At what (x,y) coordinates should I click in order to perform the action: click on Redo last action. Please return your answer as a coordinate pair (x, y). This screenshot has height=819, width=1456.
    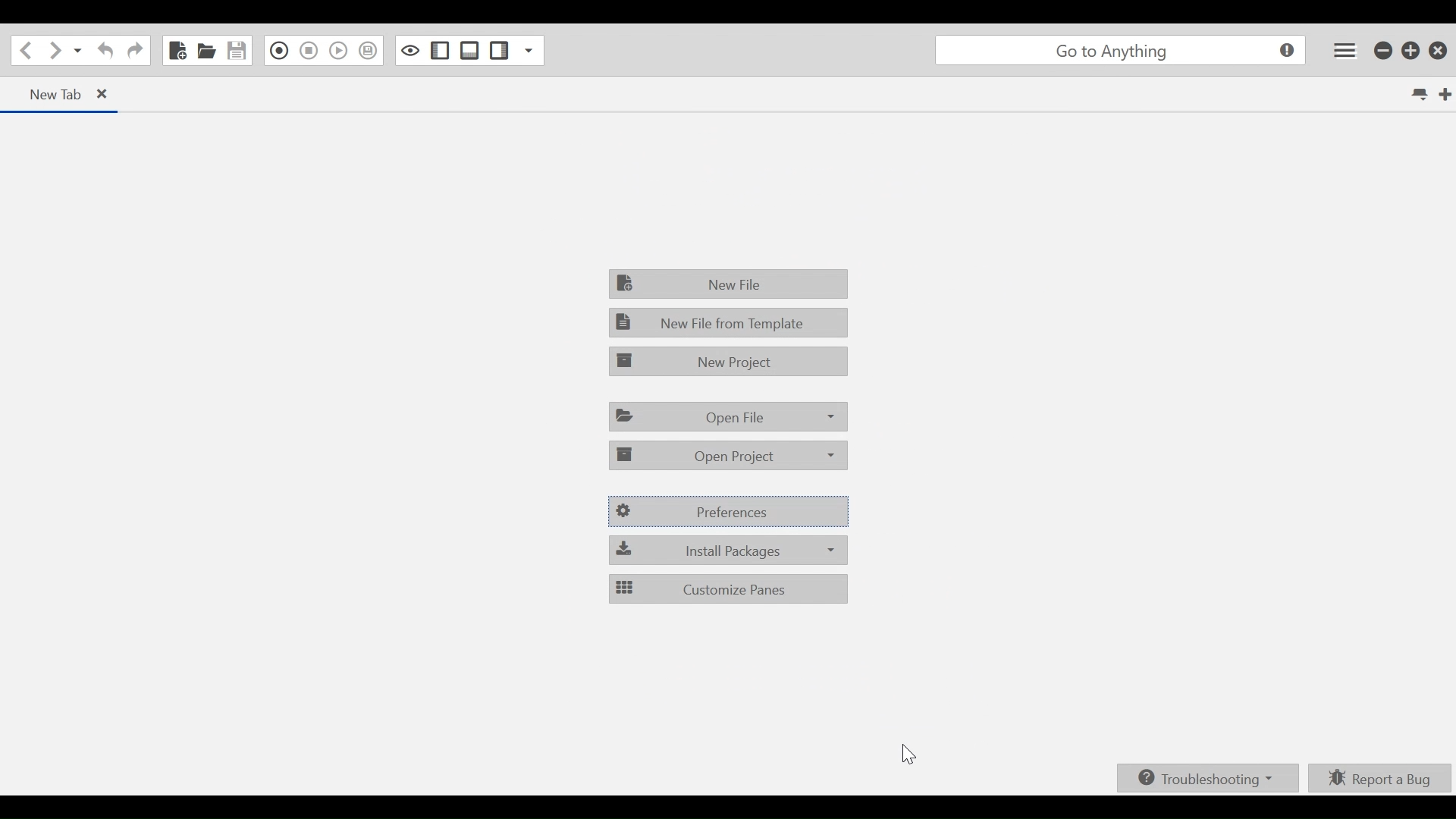
    Looking at the image, I should click on (135, 52).